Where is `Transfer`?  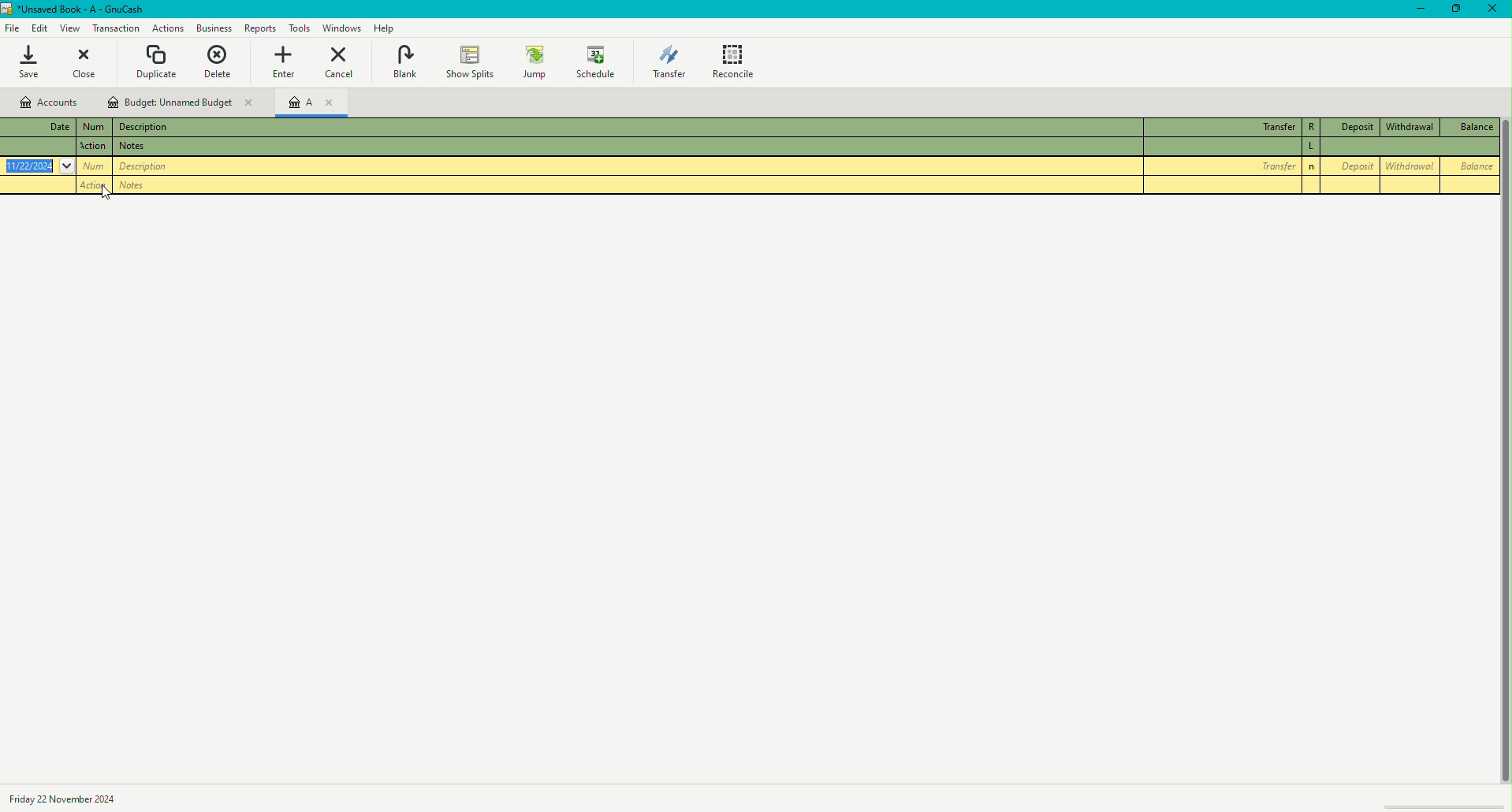 Transfer is located at coordinates (1218, 127).